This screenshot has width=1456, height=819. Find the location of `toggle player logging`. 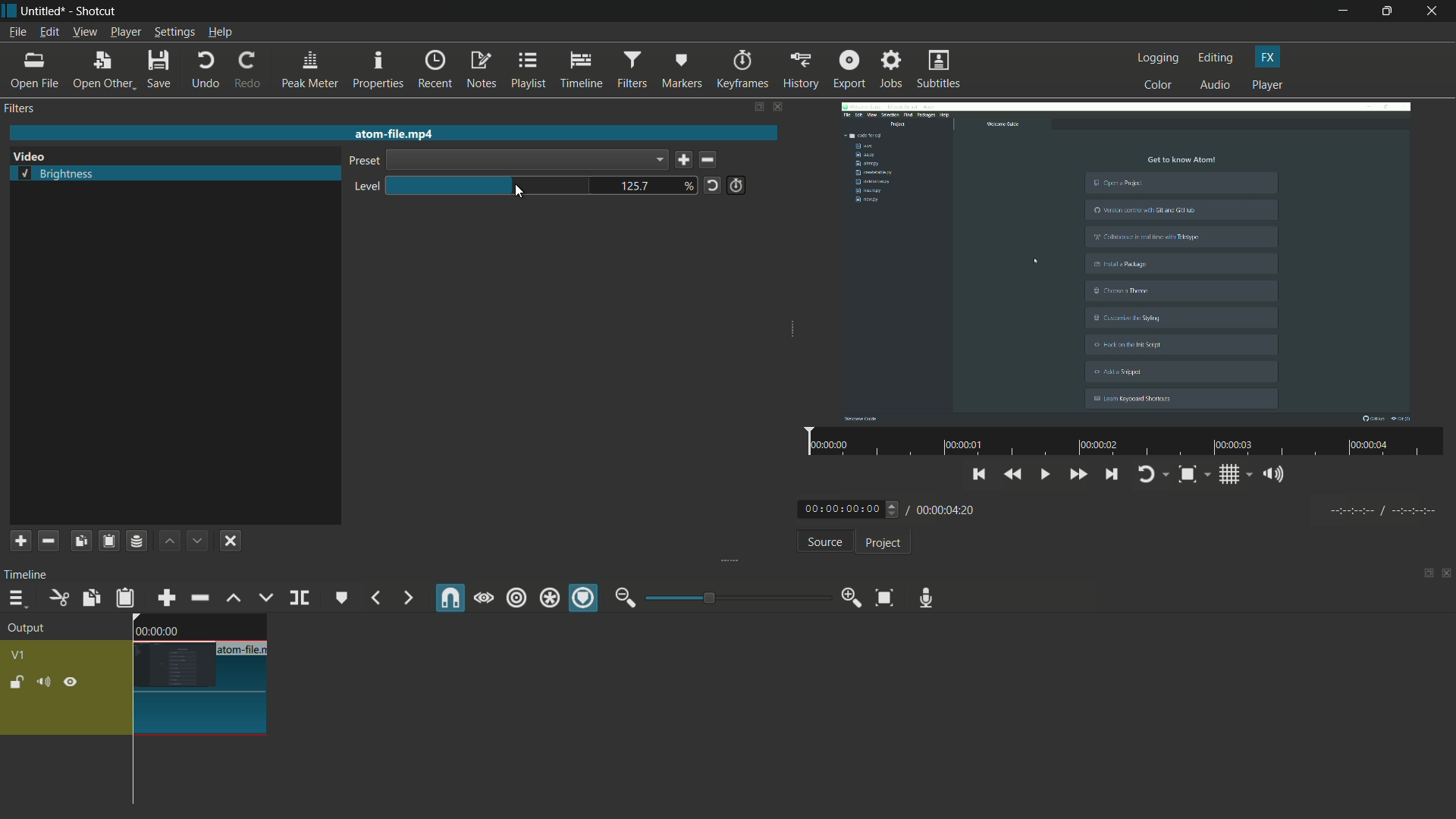

toggle player logging is located at coordinates (1153, 474).